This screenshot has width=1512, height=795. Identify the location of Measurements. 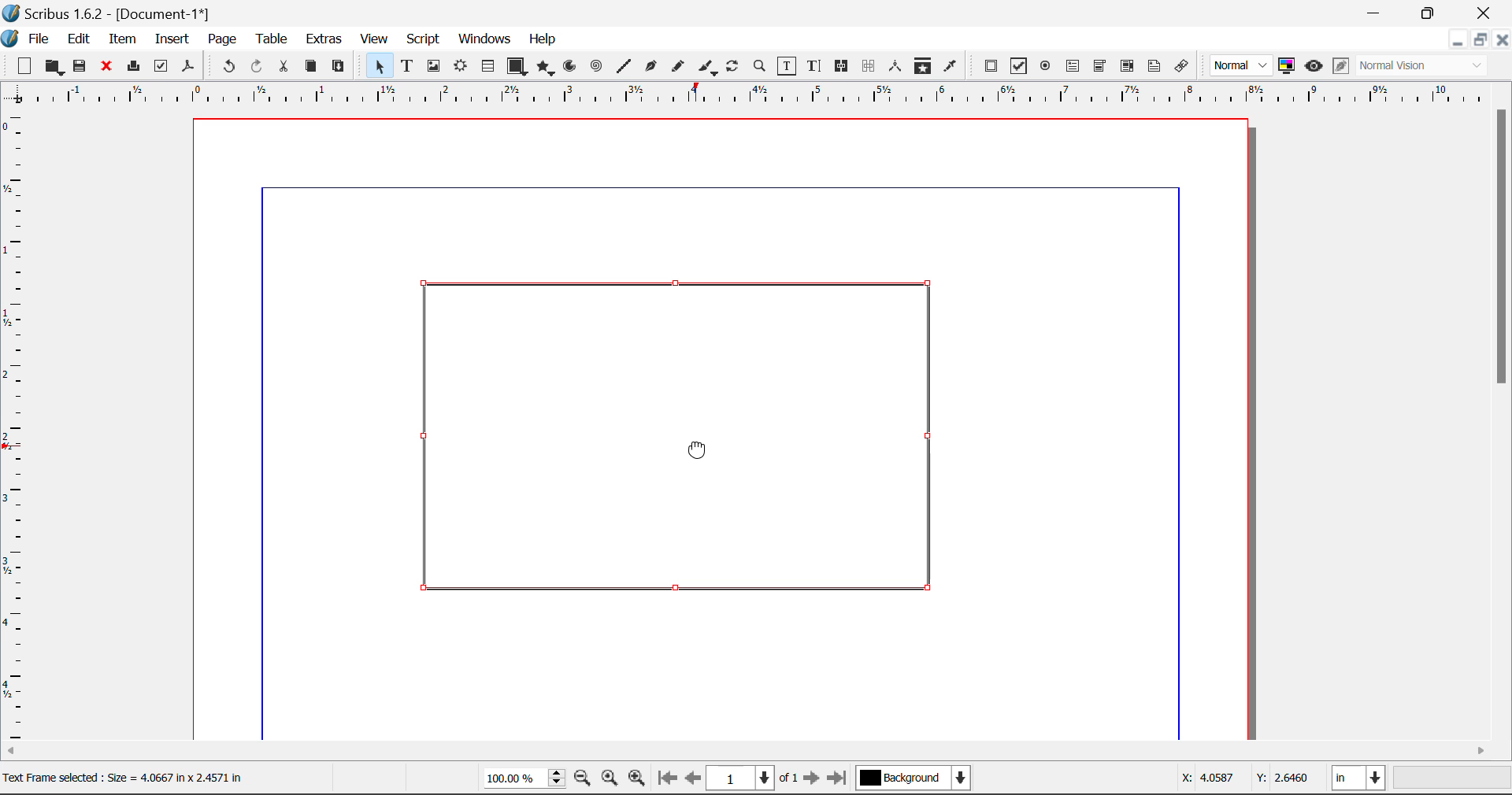
(898, 66).